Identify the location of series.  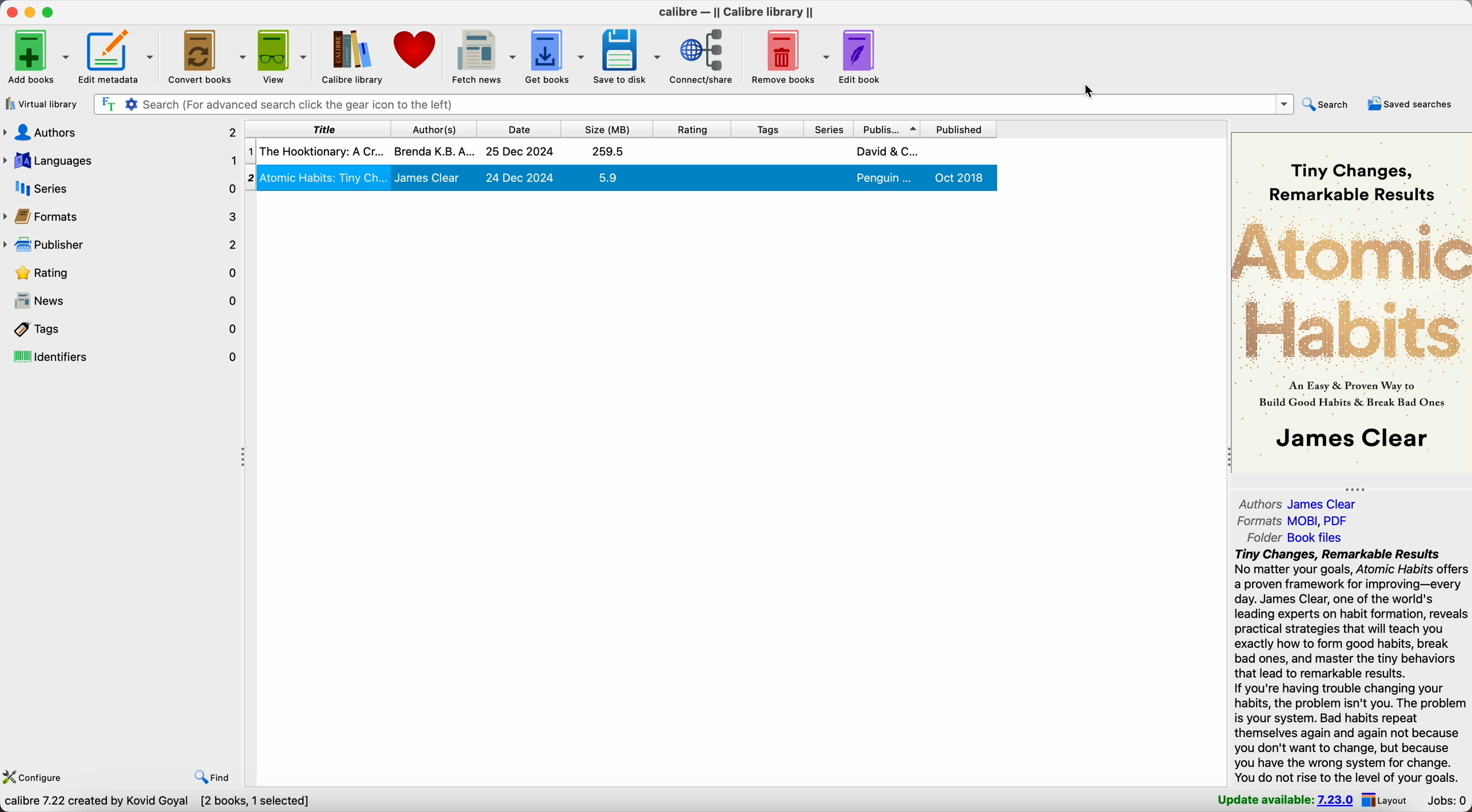
(121, 189).